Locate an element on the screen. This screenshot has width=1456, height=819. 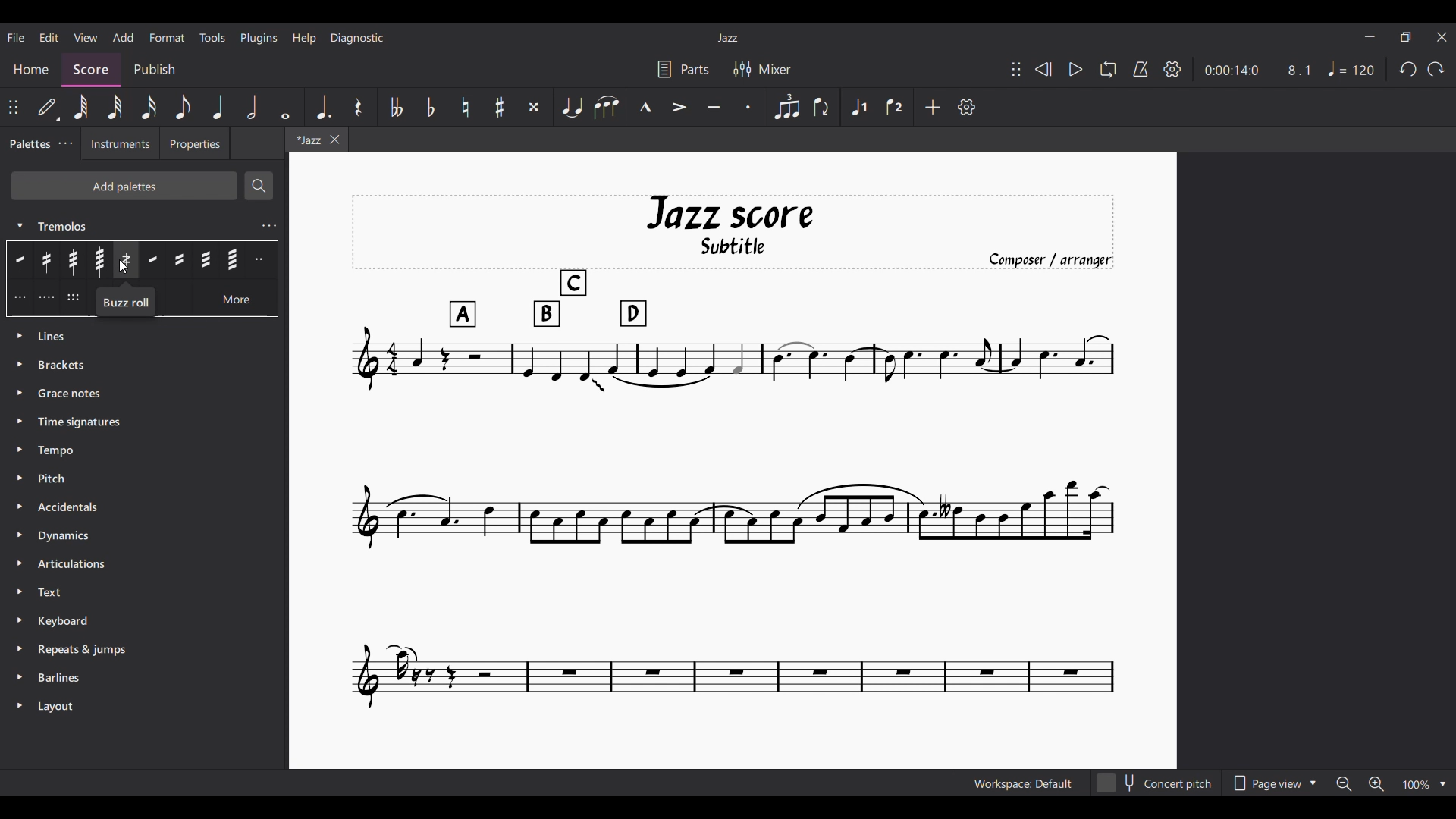
Lines is located at coordinates (146, 336).